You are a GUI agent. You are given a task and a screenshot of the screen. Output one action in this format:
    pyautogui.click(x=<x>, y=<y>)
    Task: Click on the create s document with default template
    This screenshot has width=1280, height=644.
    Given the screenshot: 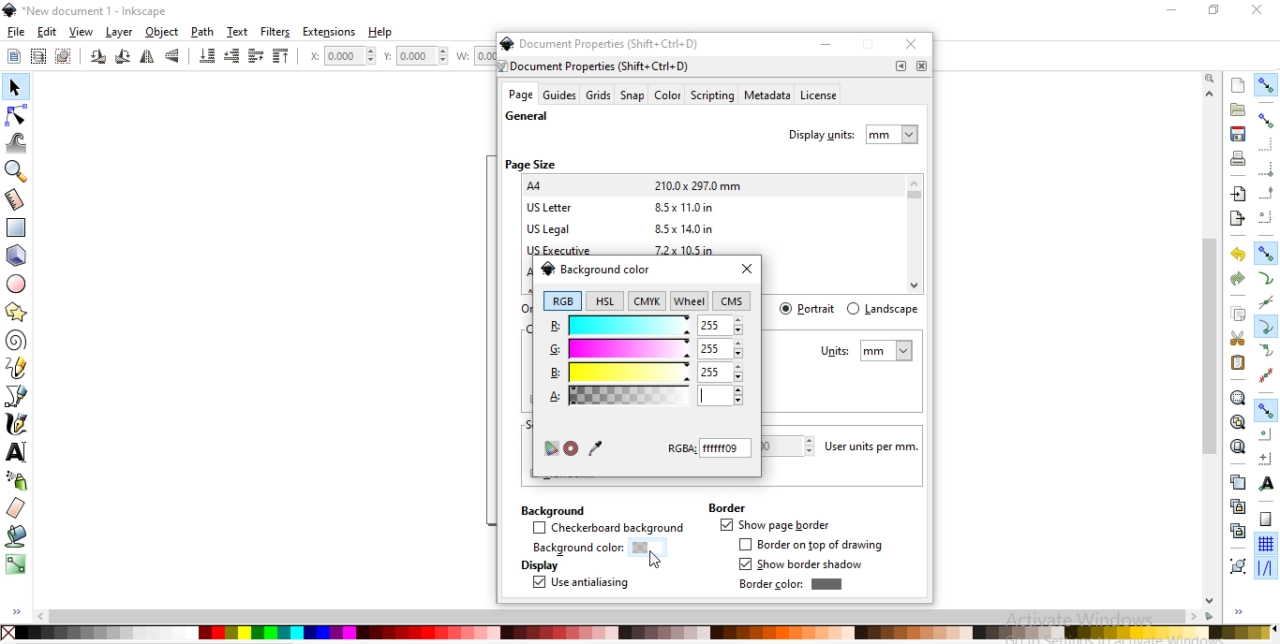 What is the action you would take?
    pyautogui.click(x=1239, y=84)
    